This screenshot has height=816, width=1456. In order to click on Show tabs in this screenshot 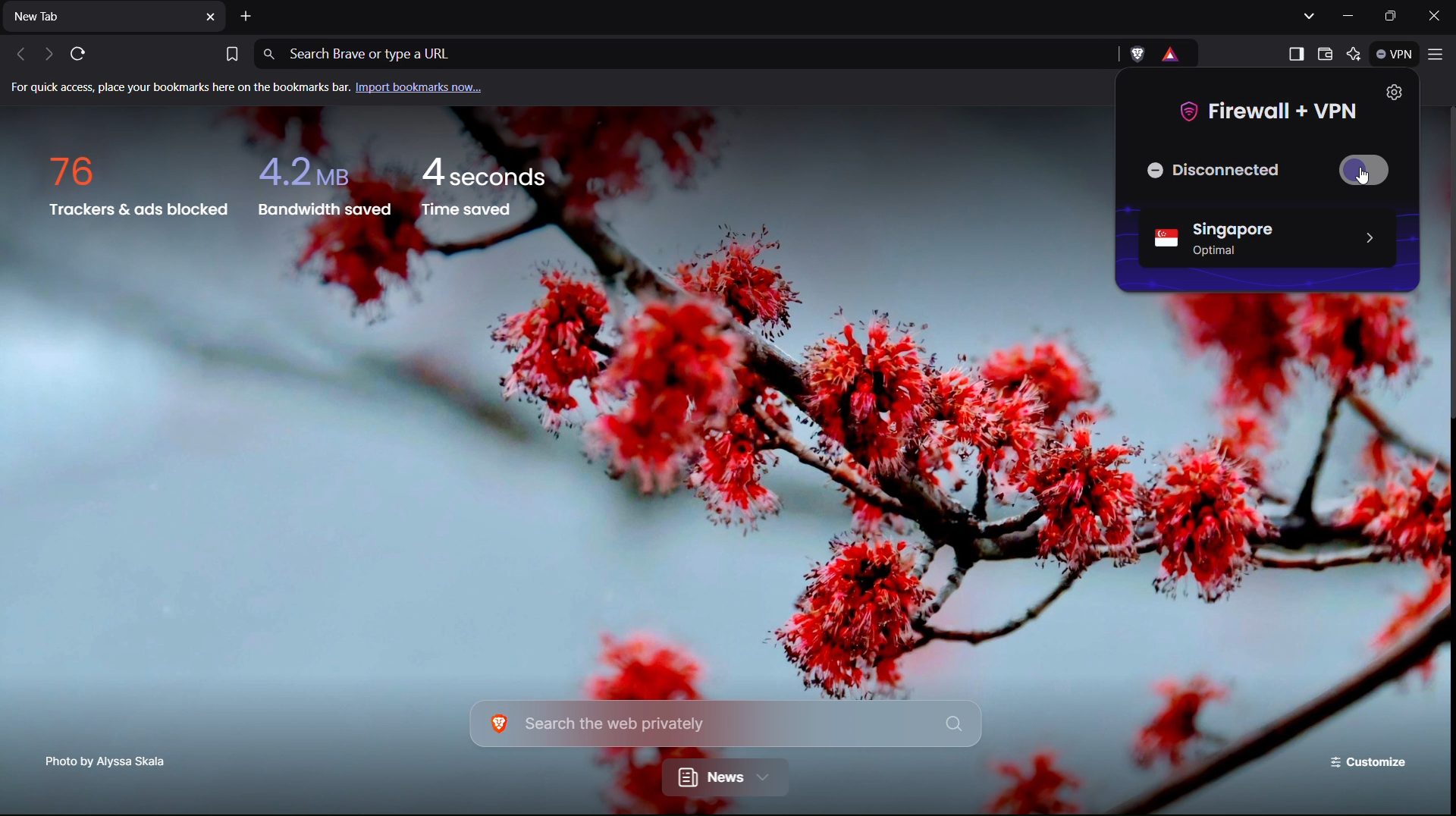, I will do `click(1309, 17)`.